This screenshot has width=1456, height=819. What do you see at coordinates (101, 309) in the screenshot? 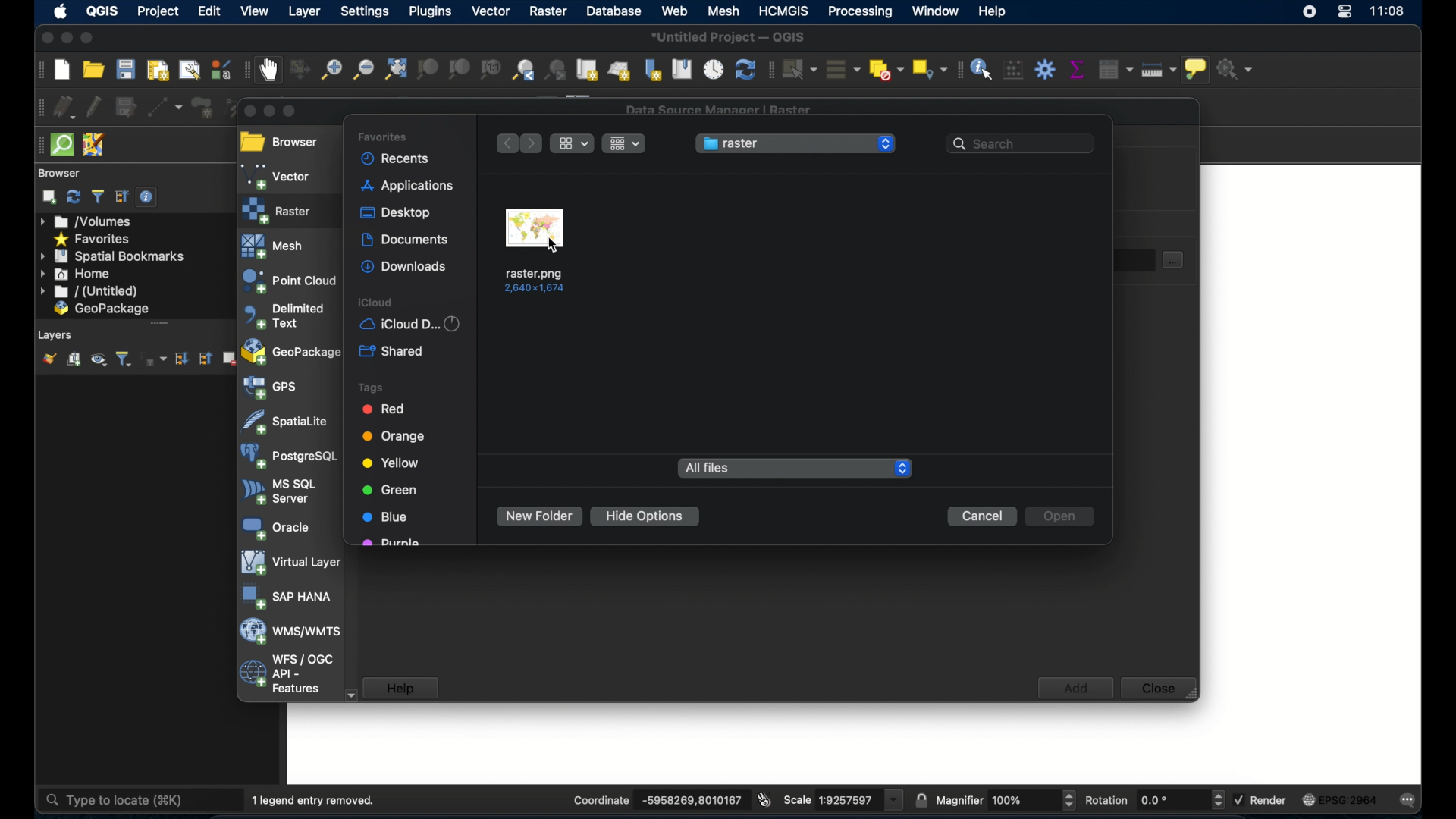
I see `geo package` at bounding box center [101, 309].